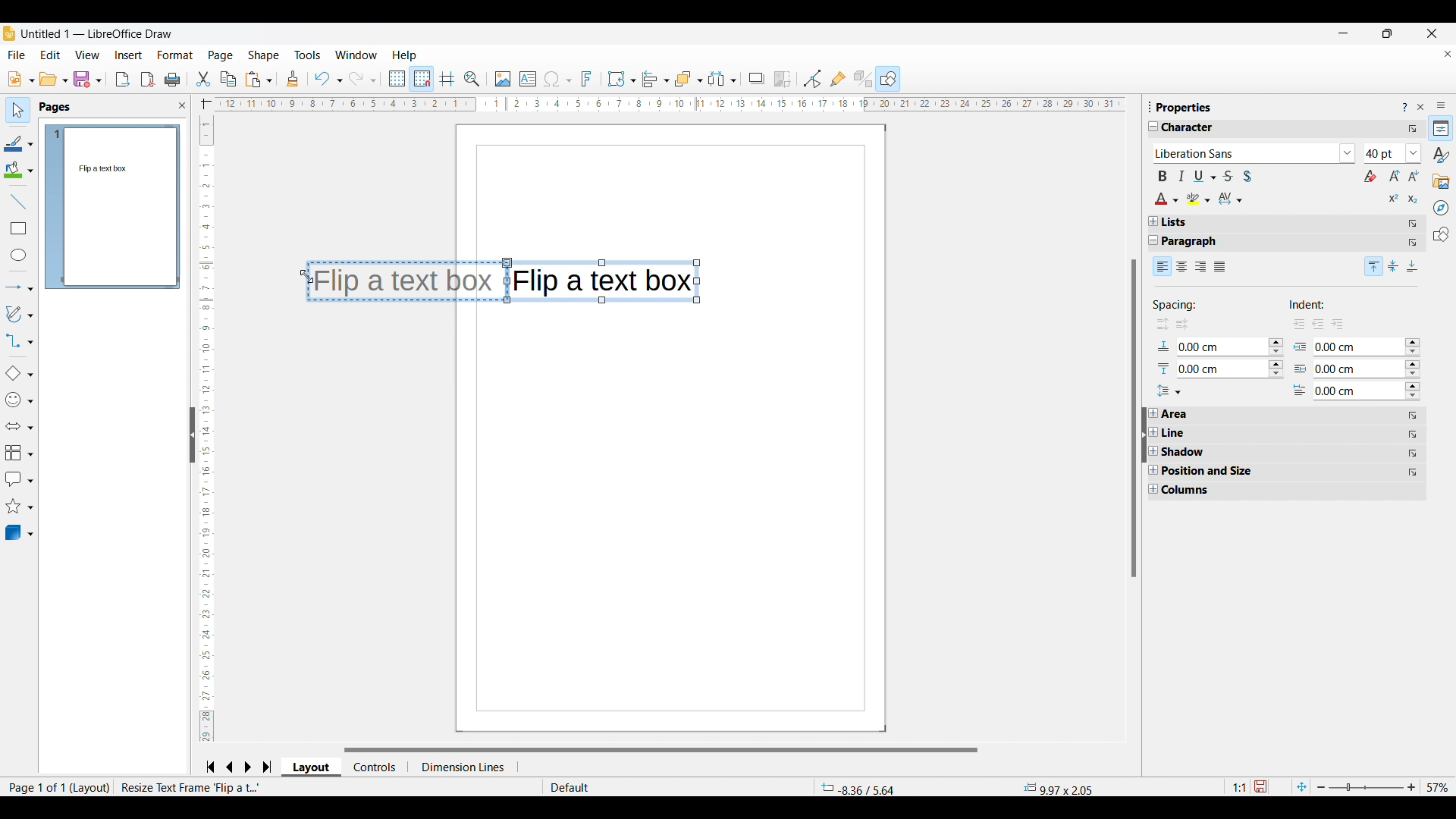 The height and width of the screenshot is (819, 1456). Describe the element at coordinates (1357, 369) in the screenshot. I see `0.00 cm` at that location.